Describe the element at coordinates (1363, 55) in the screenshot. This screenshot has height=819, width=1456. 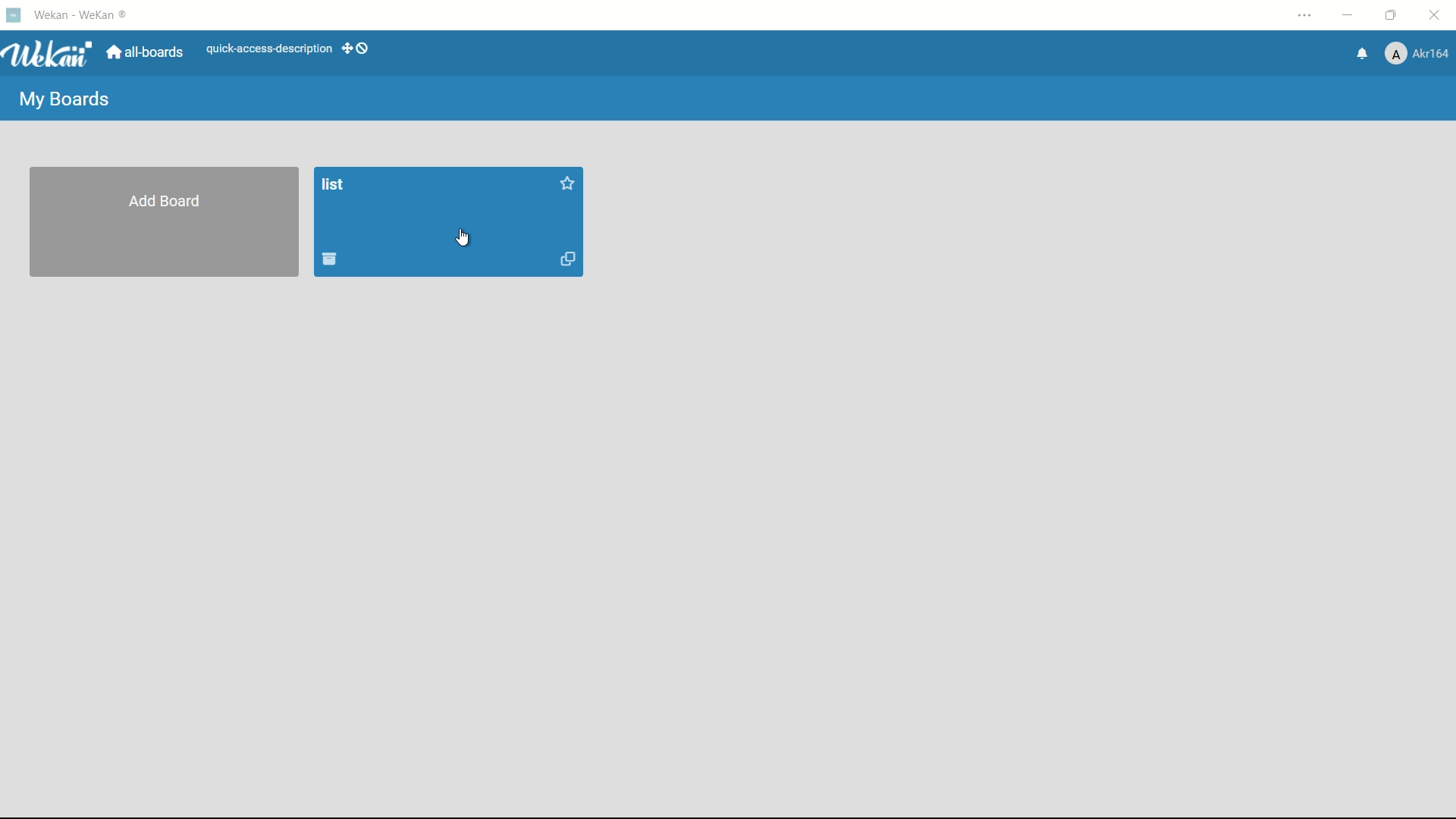
I see `notifications` at that location.